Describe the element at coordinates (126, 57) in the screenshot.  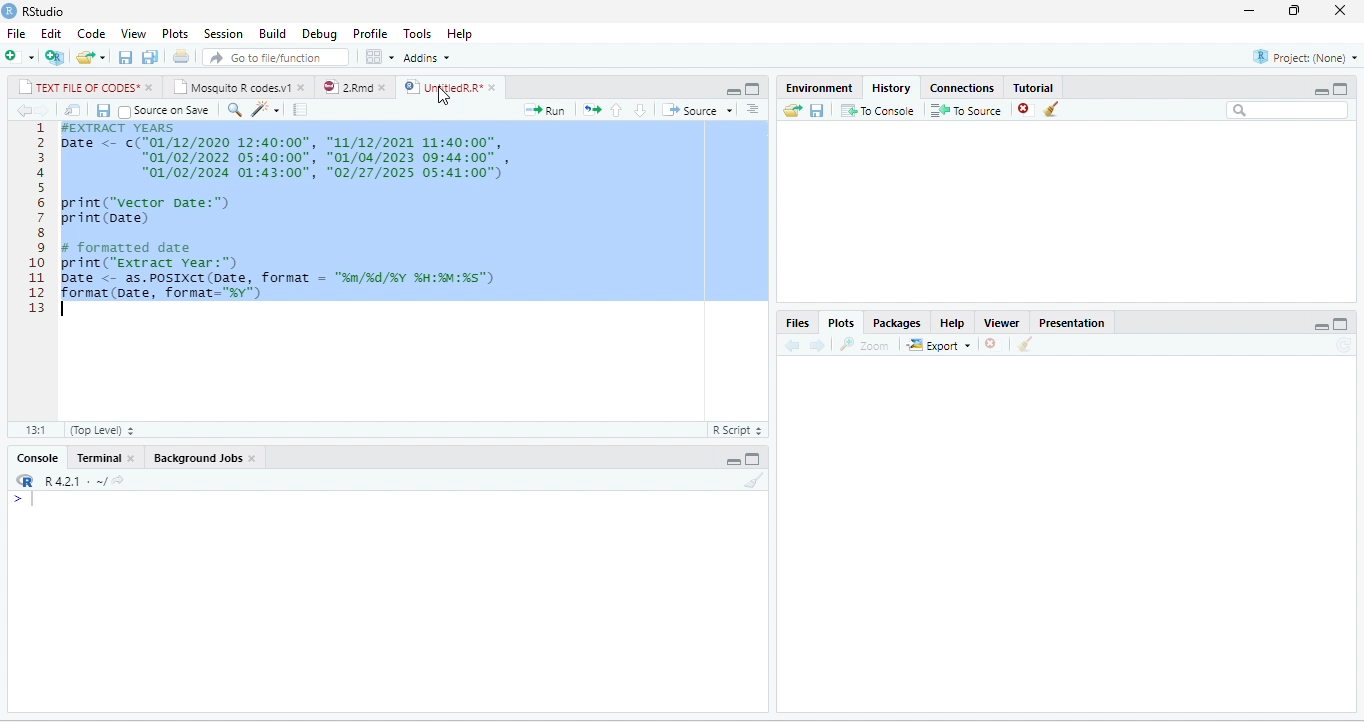
I see `save` at that location.